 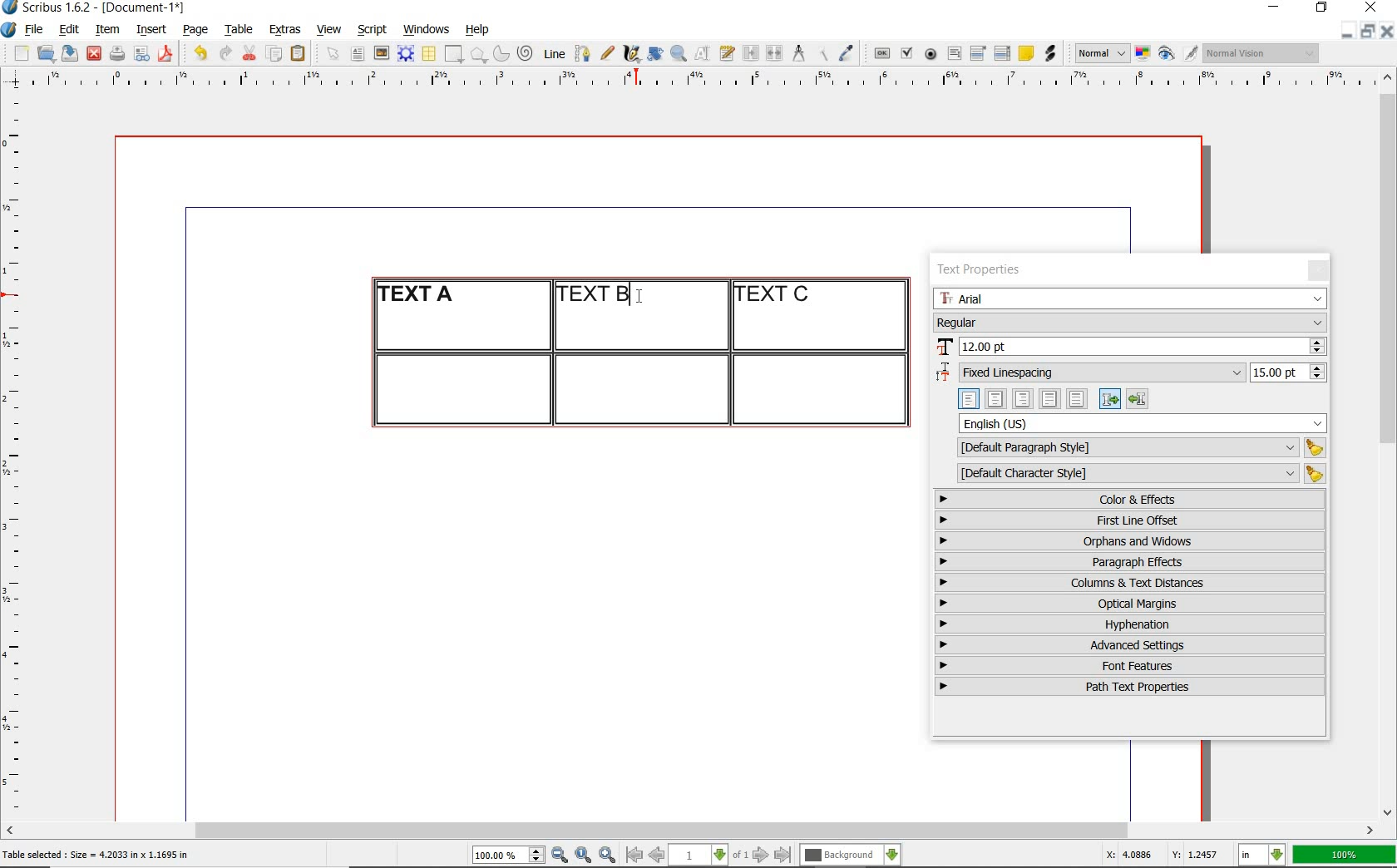 I want to click on cursor, so click(x=643, y=298).